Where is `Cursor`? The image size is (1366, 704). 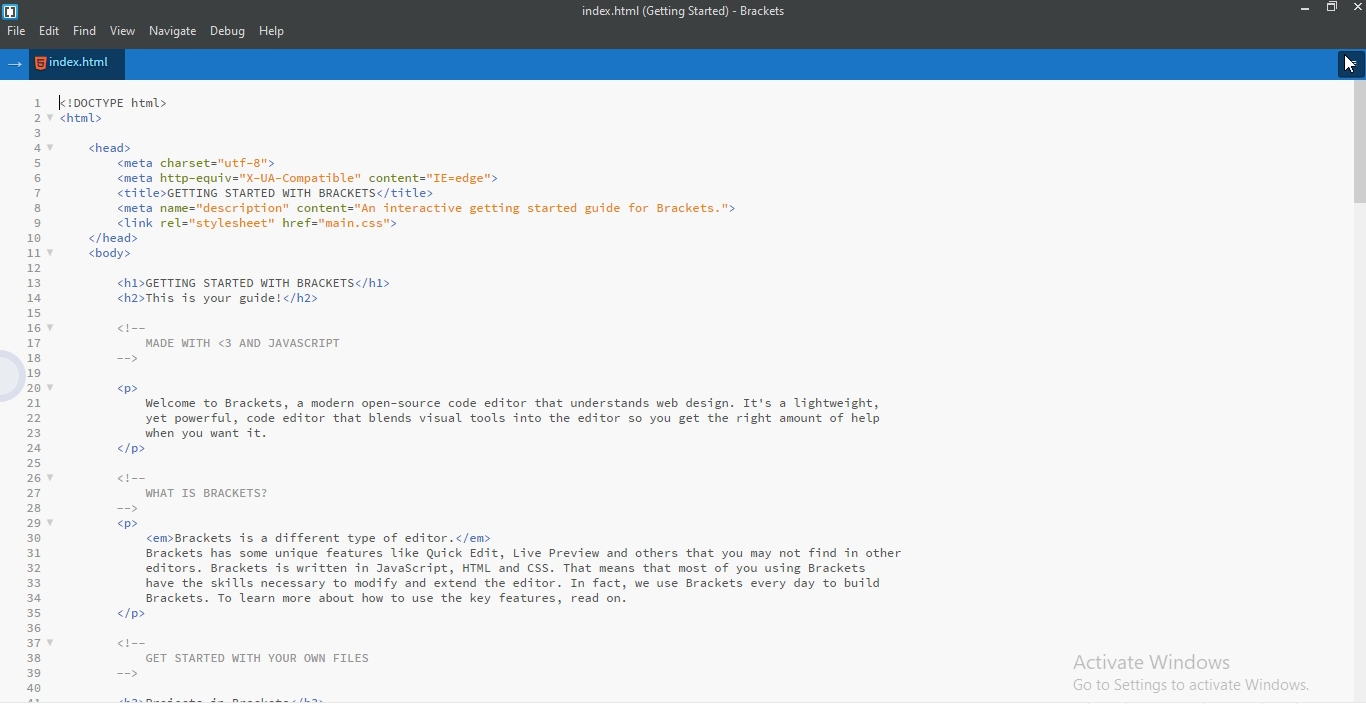 Cursor is located at coordinates (1348, 65).